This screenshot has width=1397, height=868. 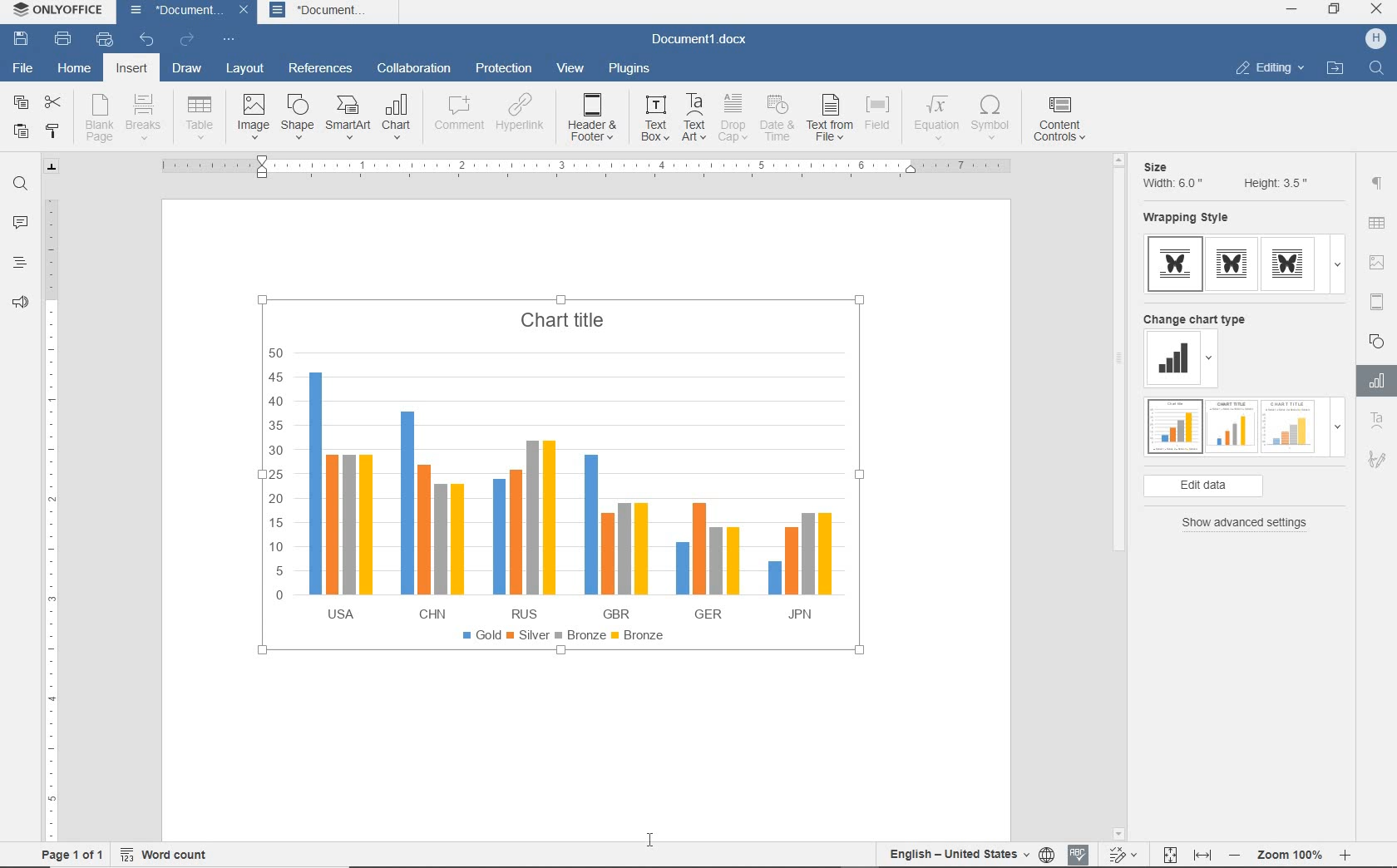 I want to click on type 1, so click(x=1176, y=264).